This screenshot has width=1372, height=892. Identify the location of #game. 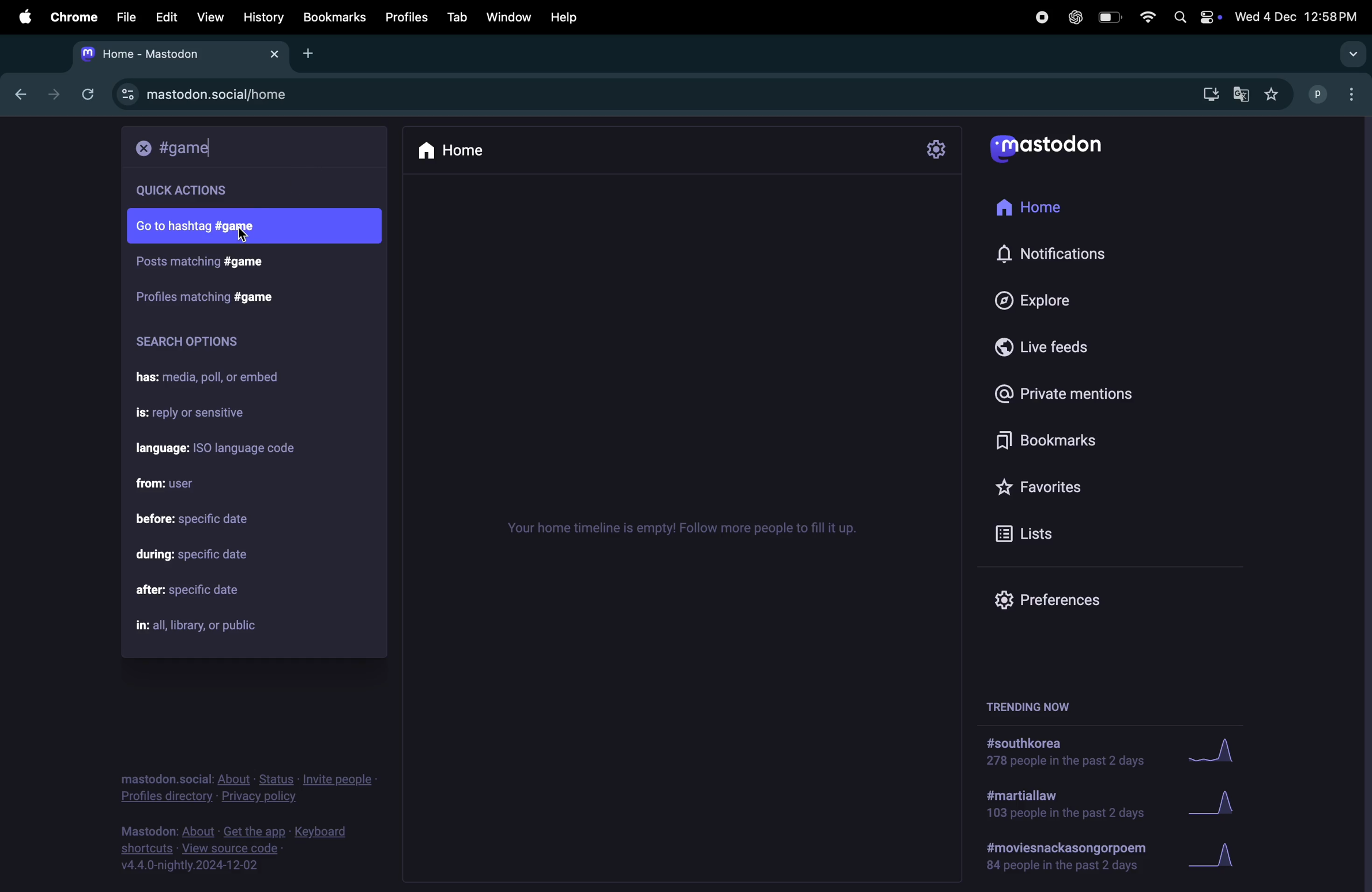
(189, 148).